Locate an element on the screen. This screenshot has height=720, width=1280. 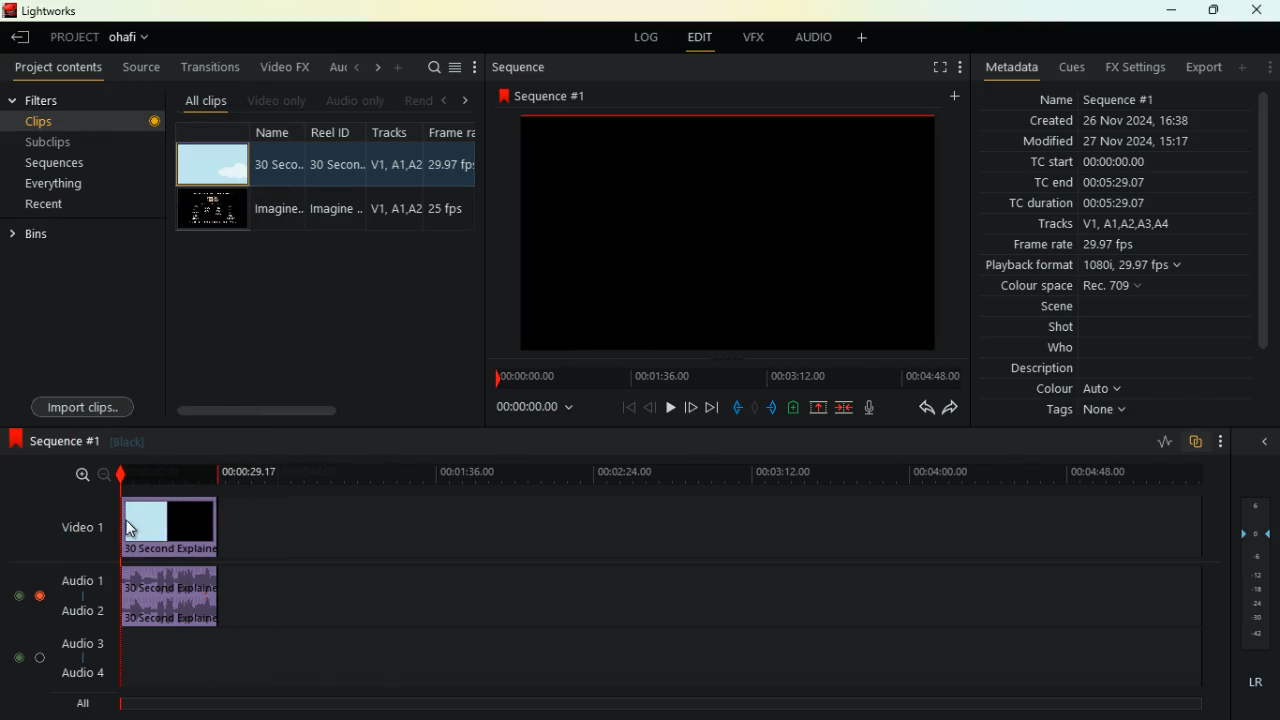
fx settings is located at coordinates (1134, 68).